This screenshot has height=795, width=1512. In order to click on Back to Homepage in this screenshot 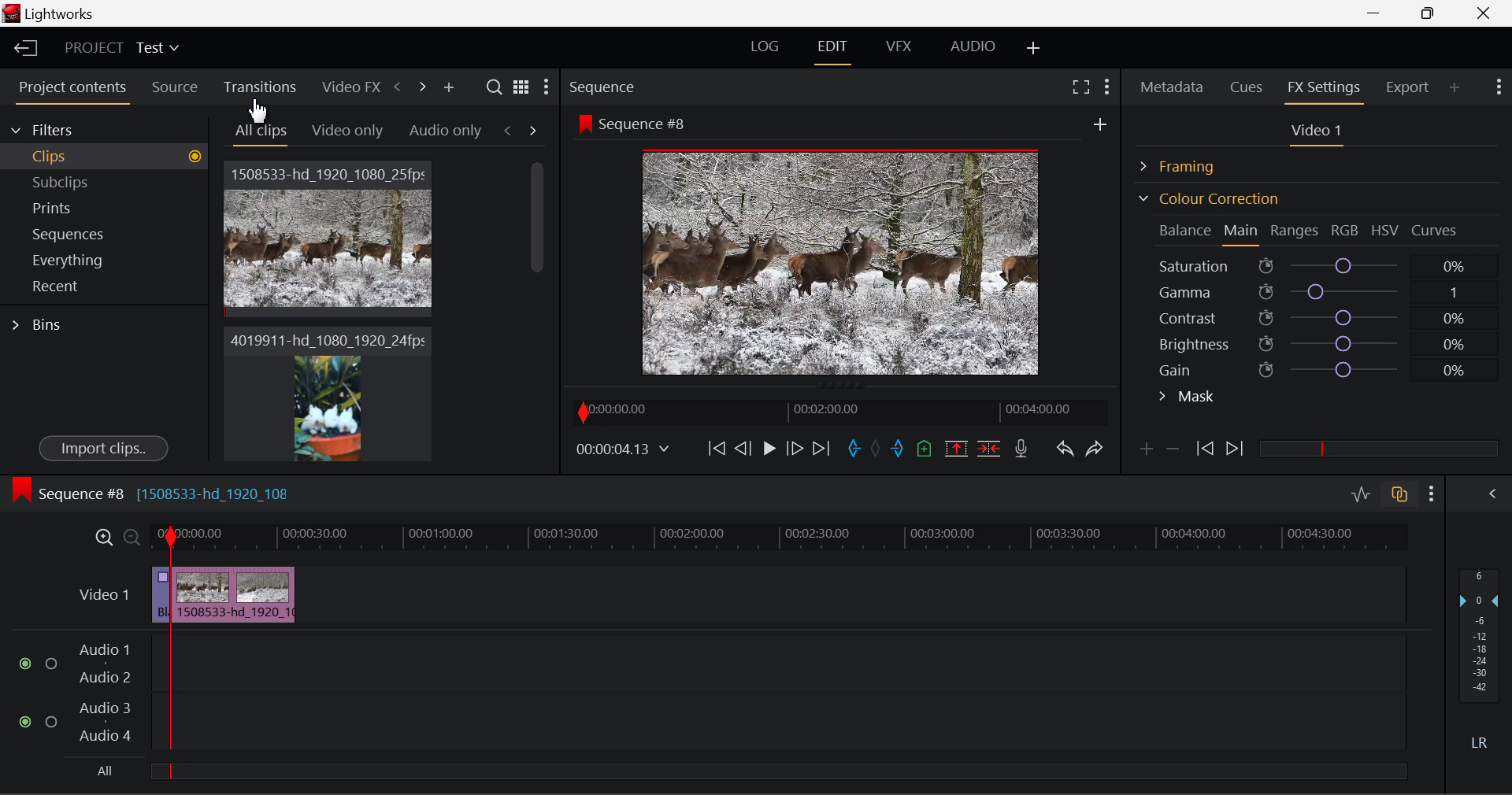, I will do `click(20, 49)`.